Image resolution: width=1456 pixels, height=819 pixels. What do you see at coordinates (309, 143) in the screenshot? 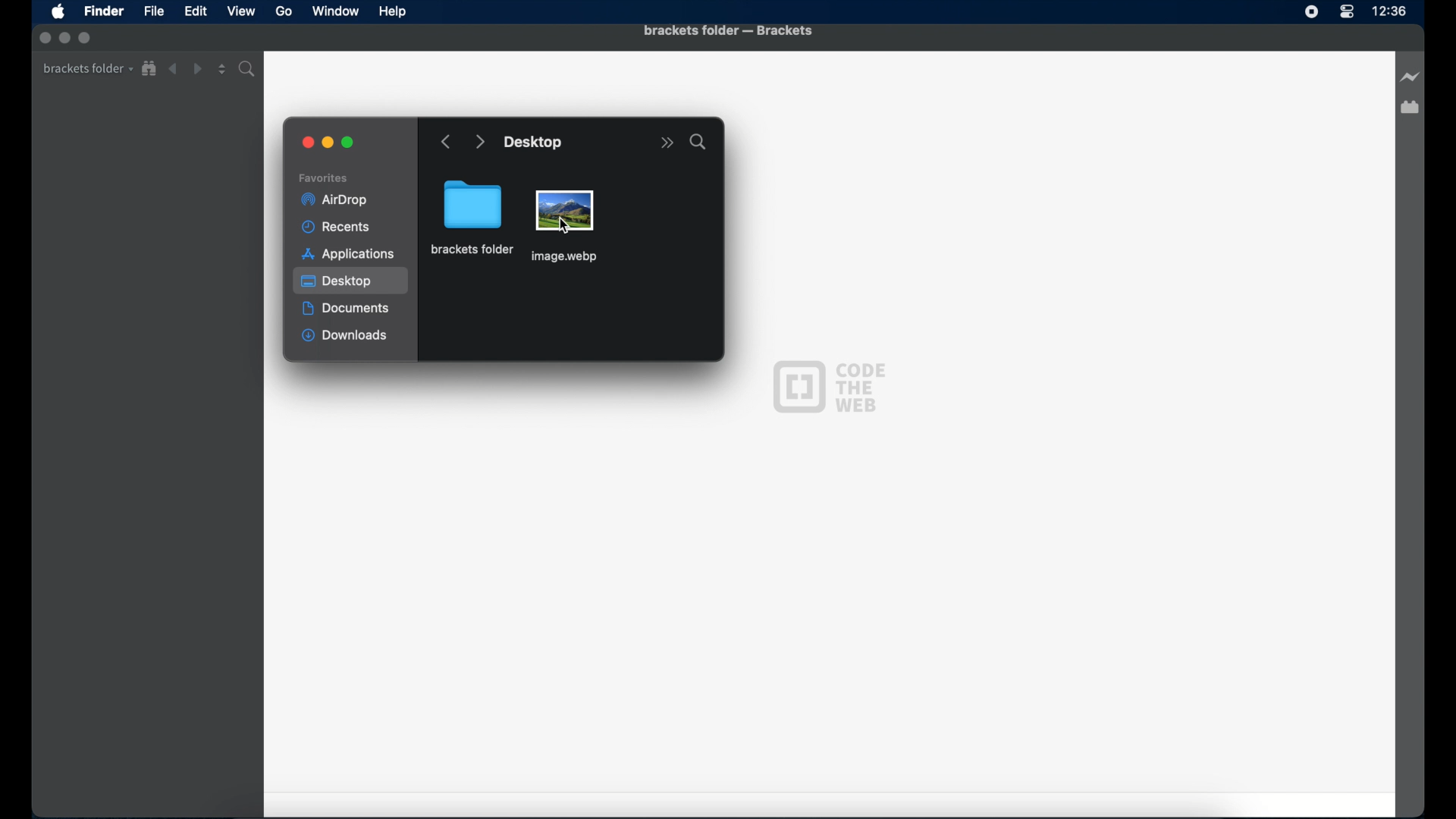
I see `close` at bounding box center [309, 143].